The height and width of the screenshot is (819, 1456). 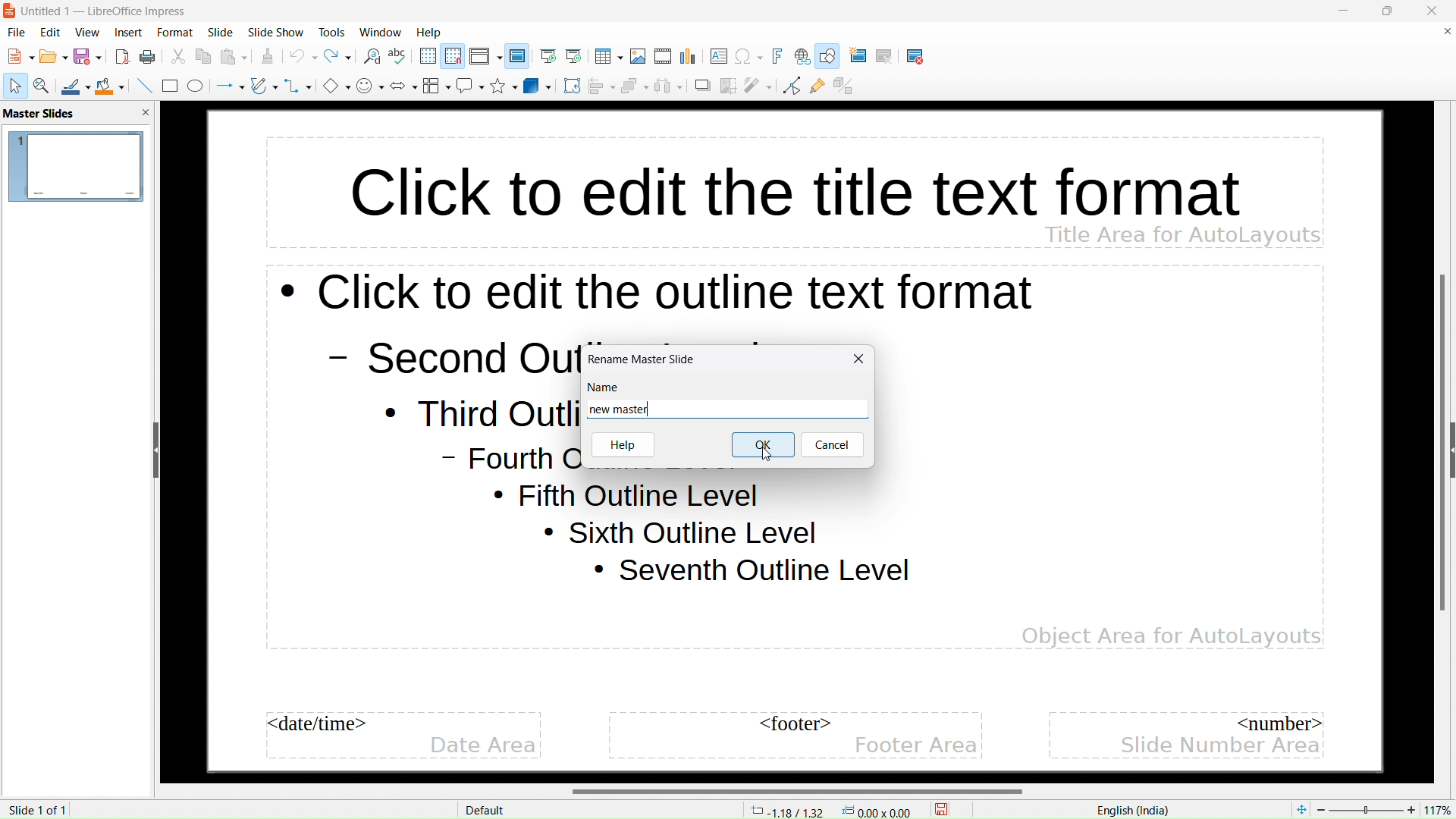 I want to click on curves and polygons, so click(x=265, y=86).